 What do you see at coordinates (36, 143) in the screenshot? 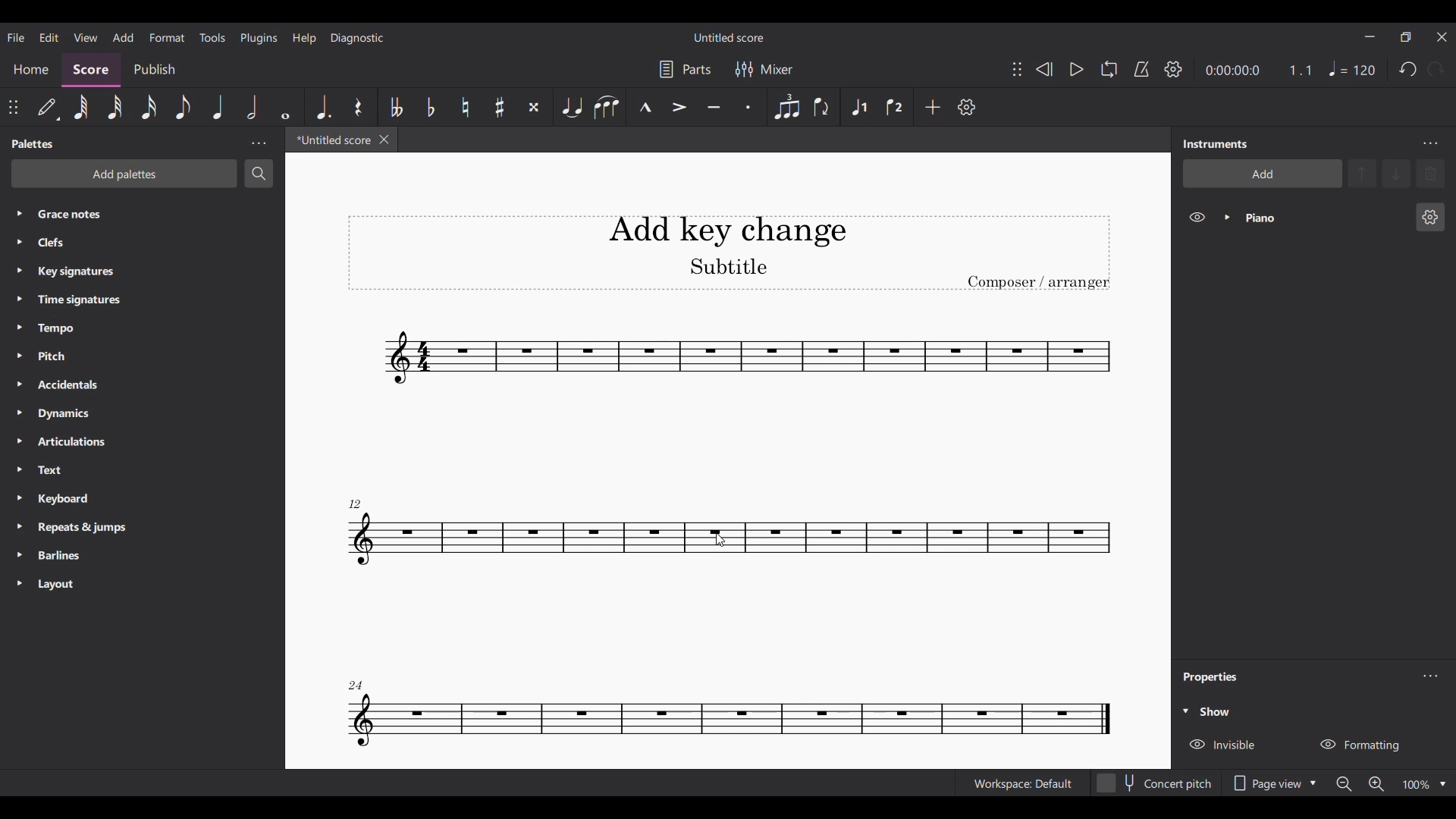
I see `Panel title` at bounding box center [36, 143].